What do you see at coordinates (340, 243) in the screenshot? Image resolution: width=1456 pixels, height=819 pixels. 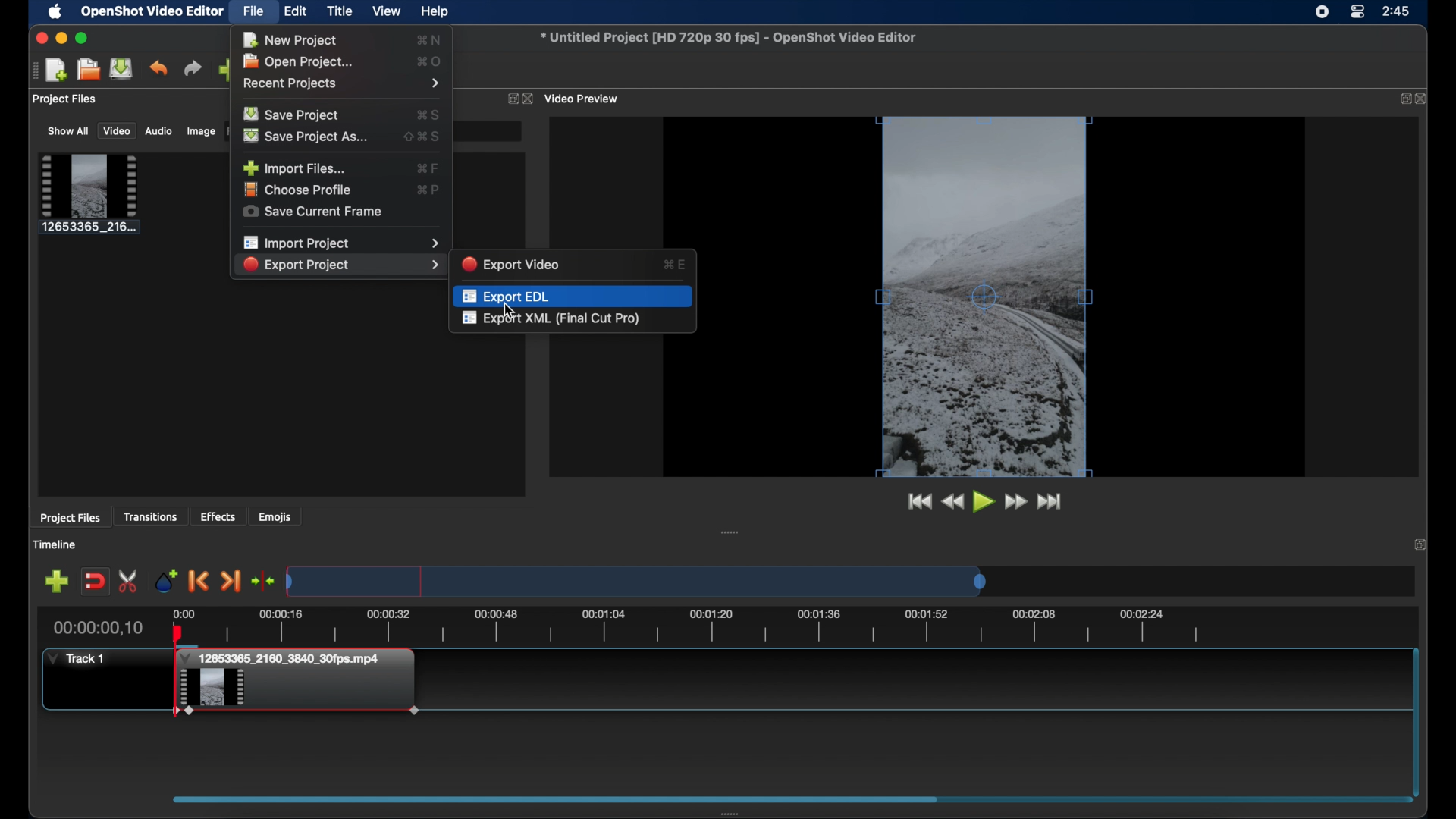 I see `import project menu` at bounding box center [340, 243].